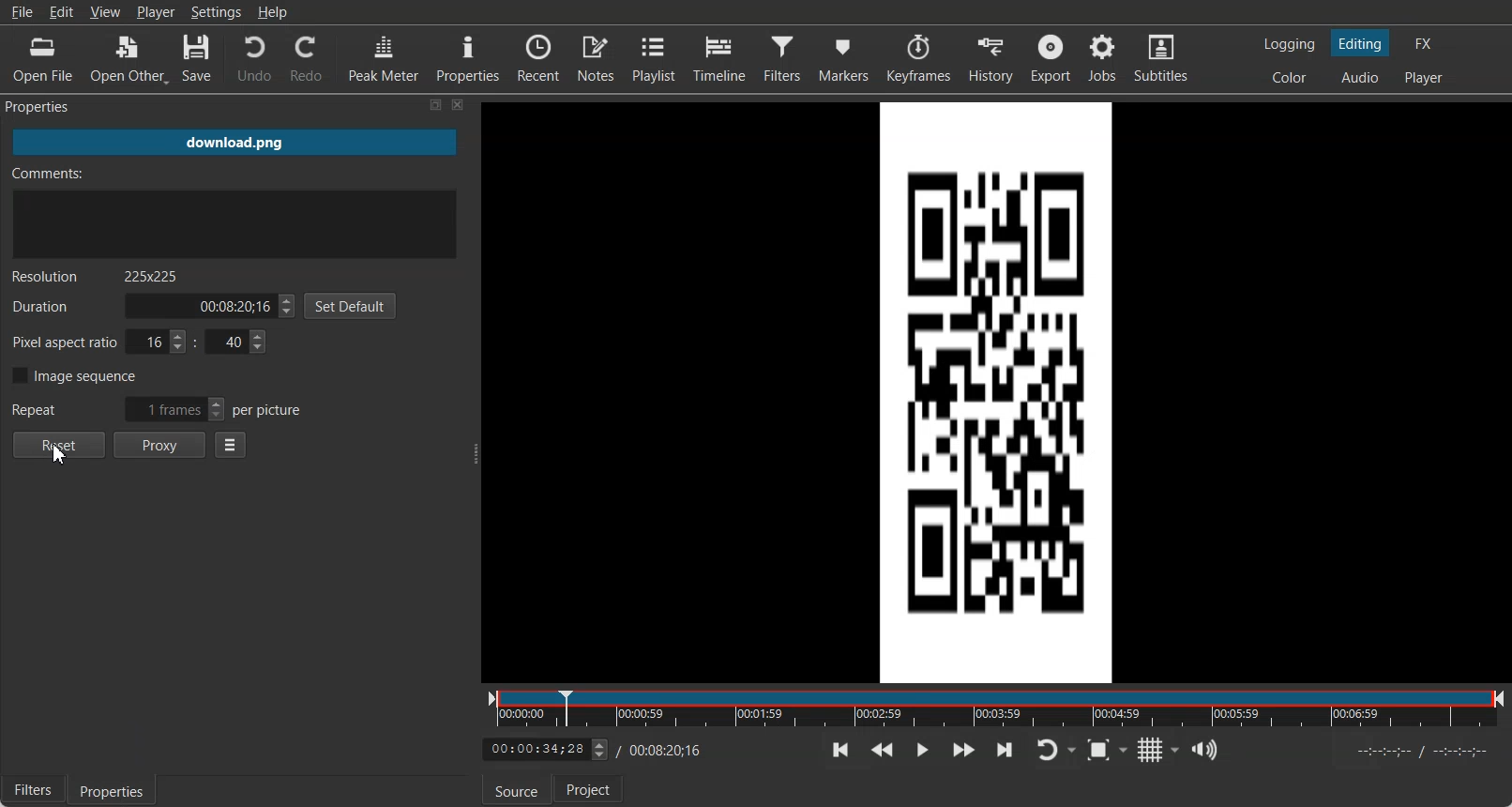  What do you see at coordinates (538, 57) in the screenshot?
I see `Recent` at bounding box center [538, 57].